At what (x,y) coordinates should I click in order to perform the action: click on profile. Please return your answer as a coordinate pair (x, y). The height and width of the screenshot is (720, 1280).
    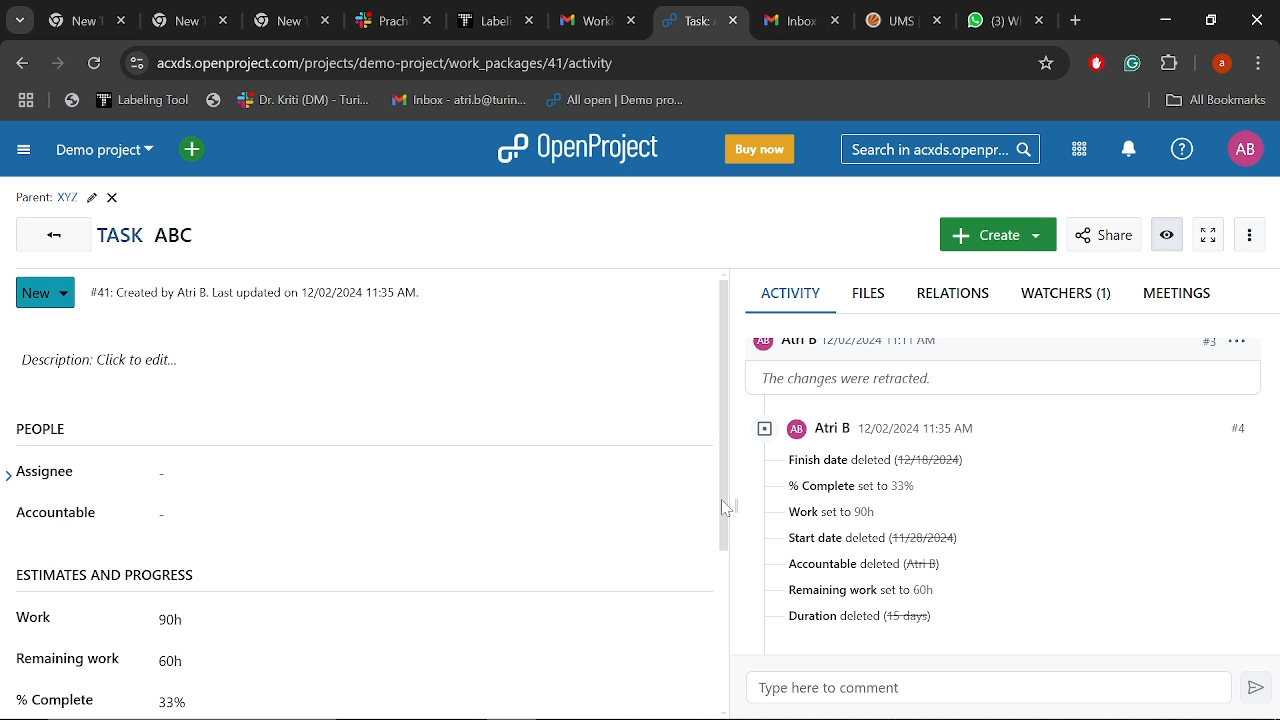
    Looking at the image, I should click on (855, 341).